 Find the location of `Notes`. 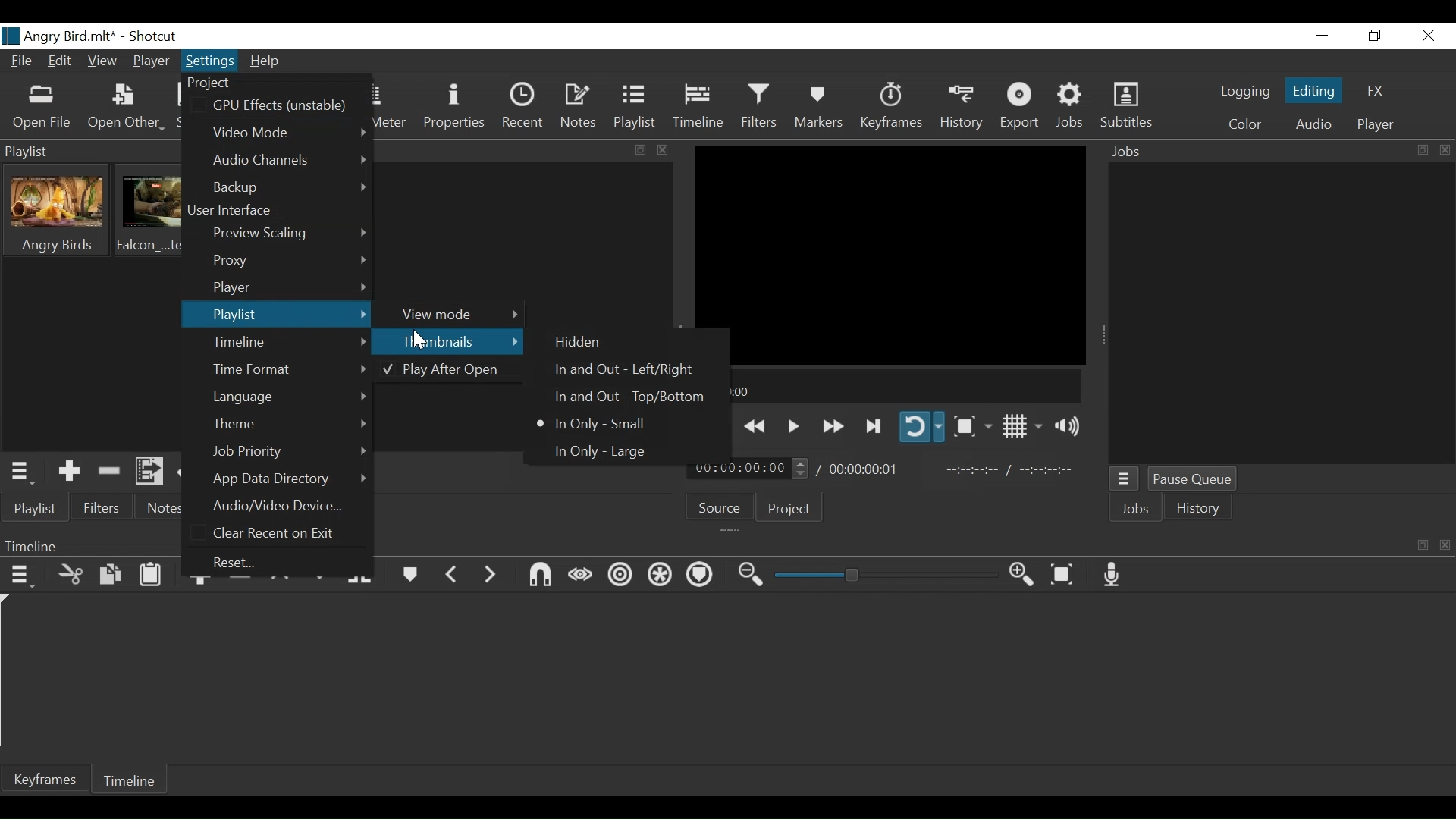

Notes is located at coordinates (577, 108).